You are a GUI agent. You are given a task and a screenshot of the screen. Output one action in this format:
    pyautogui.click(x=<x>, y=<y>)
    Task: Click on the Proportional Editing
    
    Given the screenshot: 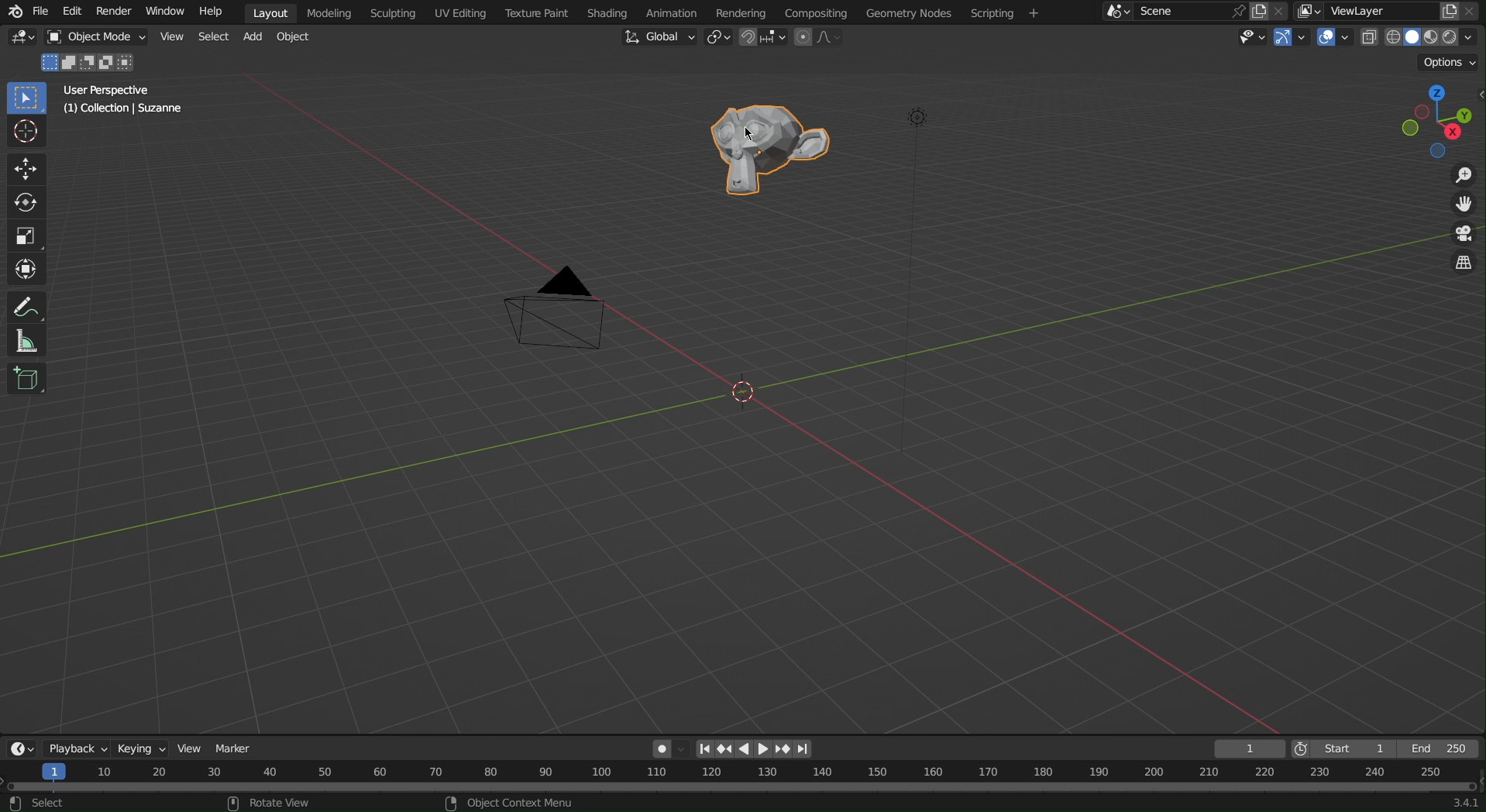 What is the action you would take?
    pyautogui.click(x=824, y=39)
    